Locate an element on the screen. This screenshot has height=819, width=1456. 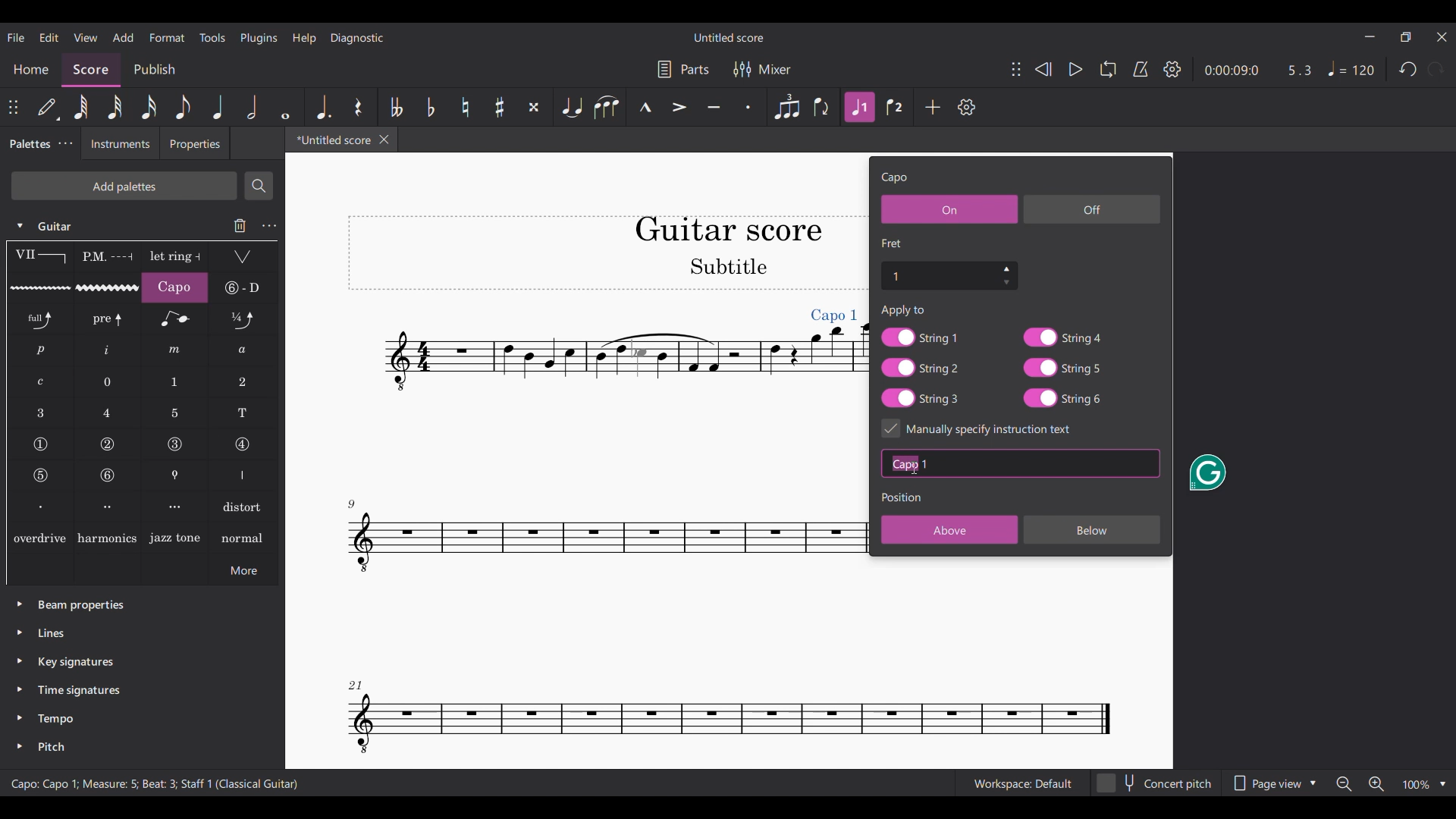
Metronome is located at coordinates (1141, 69).